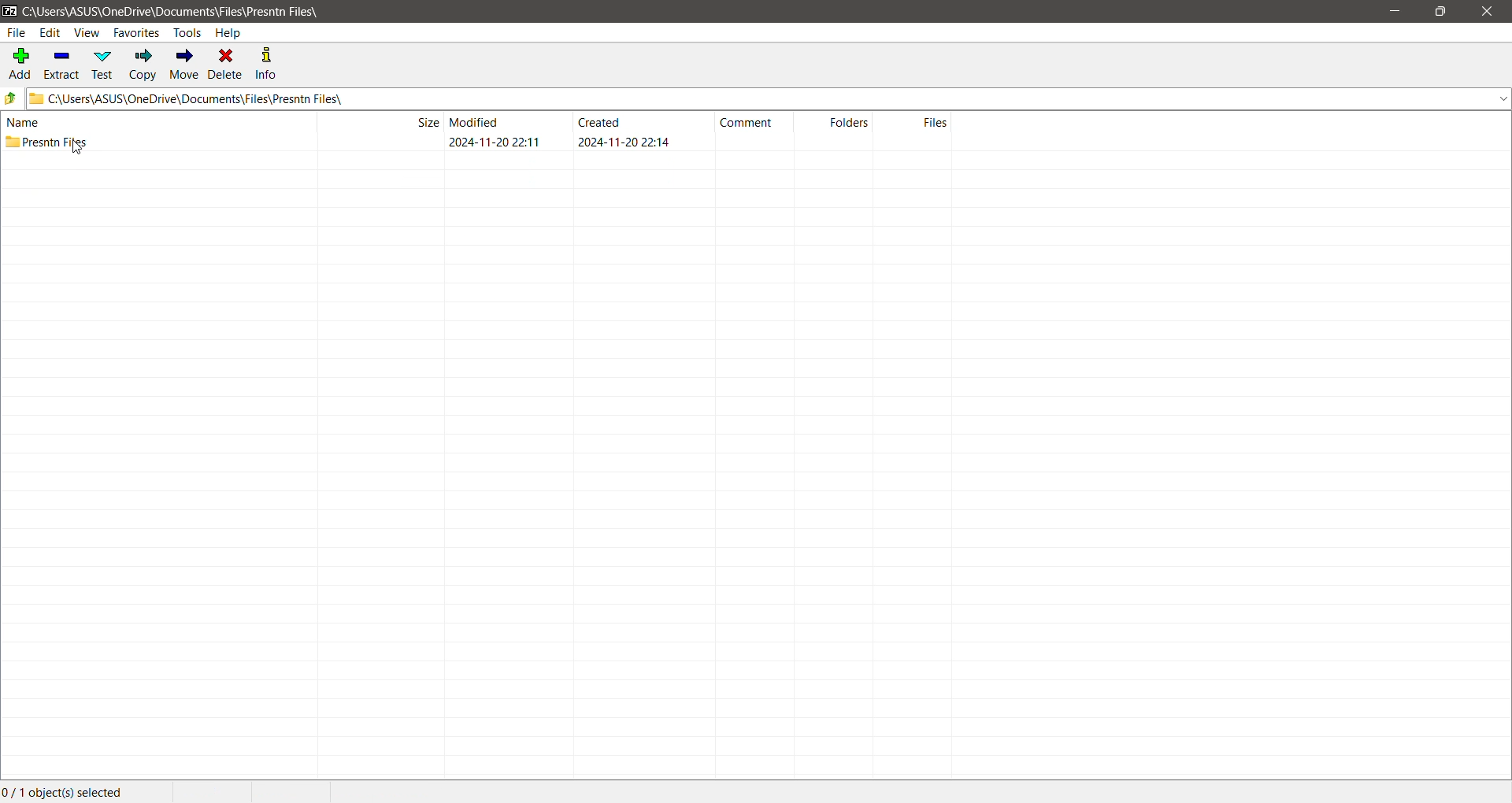  I want to click on Restore Down, so click(1440, 12).